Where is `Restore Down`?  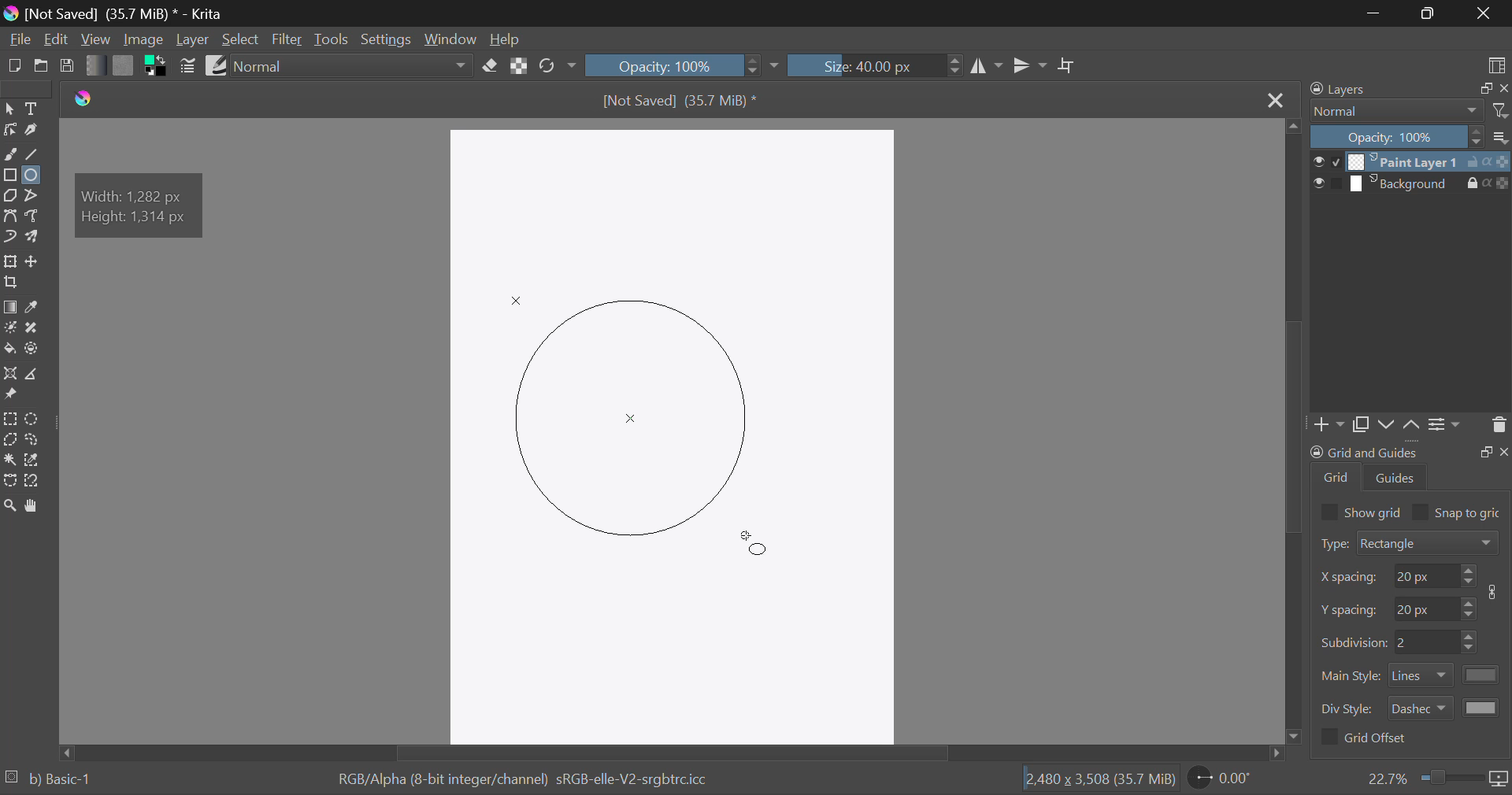 Restore Down is located at coordinates (1375, 13).